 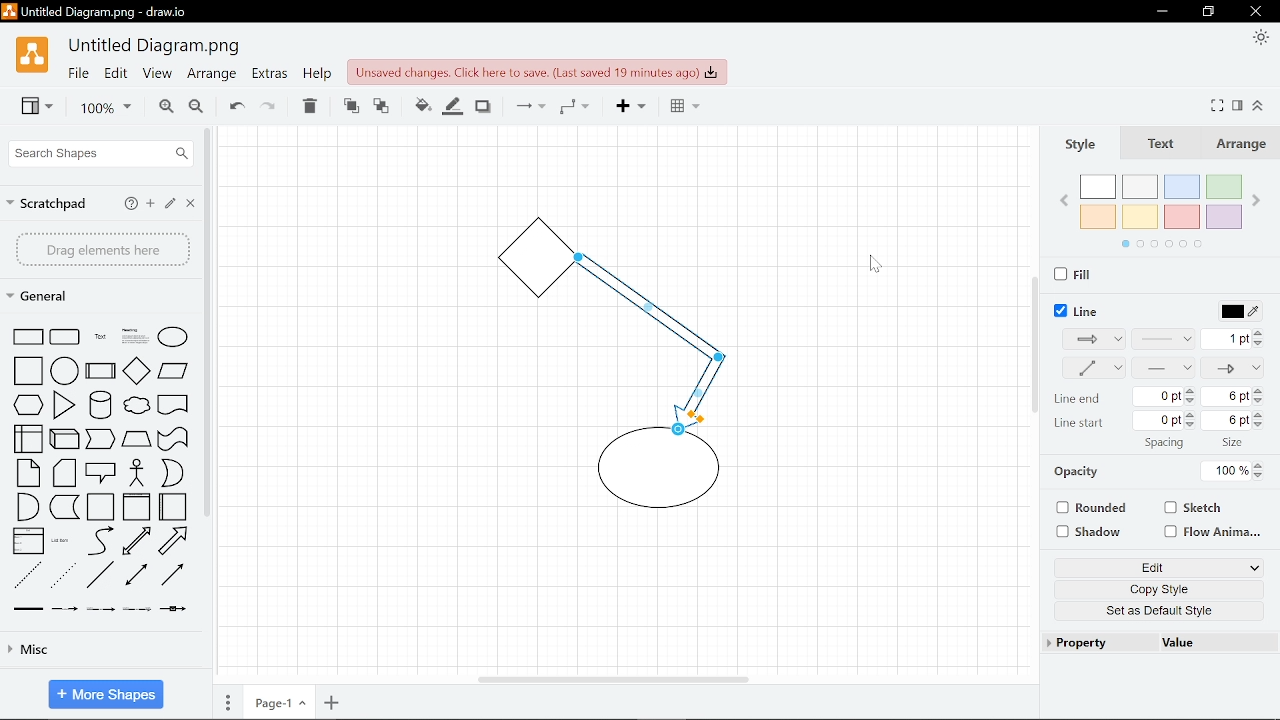 I want to click on shape, so click(x=140, y=577).